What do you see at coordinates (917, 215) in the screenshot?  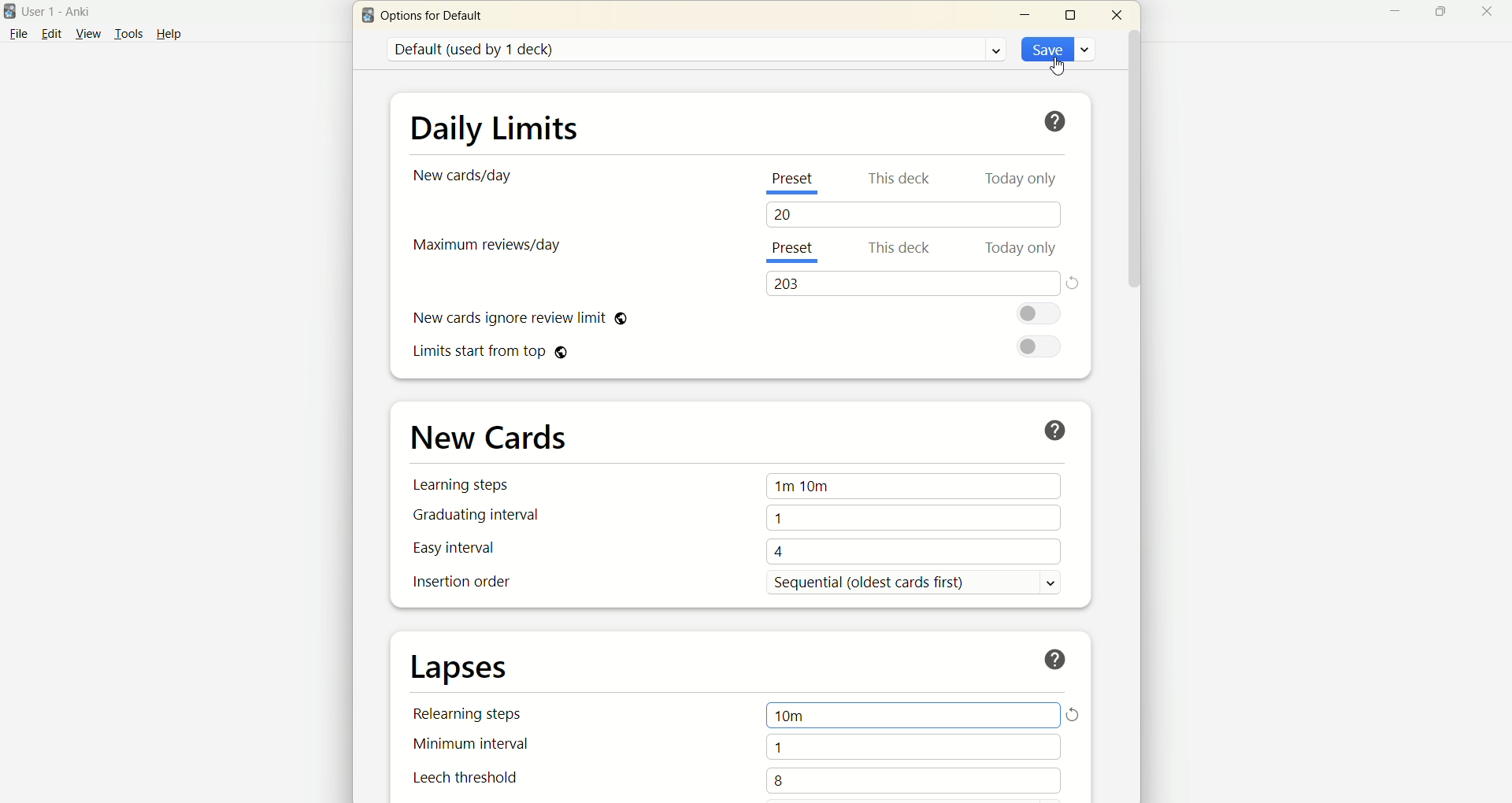 I see `20` at bounding box center [917, 215].